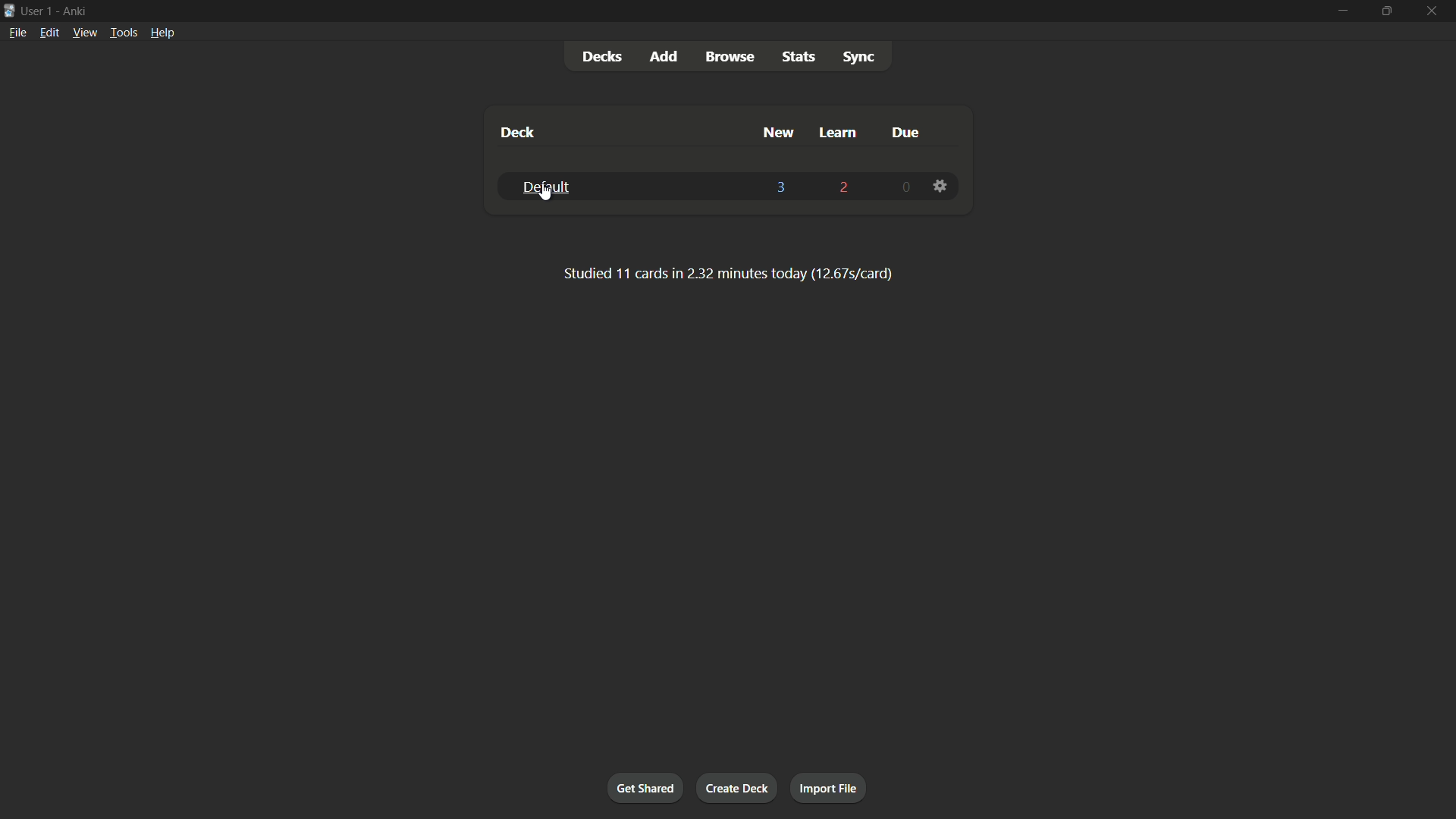  Describe the element at coordinates (665, 58) in the screenshot. I see `add` at that location.